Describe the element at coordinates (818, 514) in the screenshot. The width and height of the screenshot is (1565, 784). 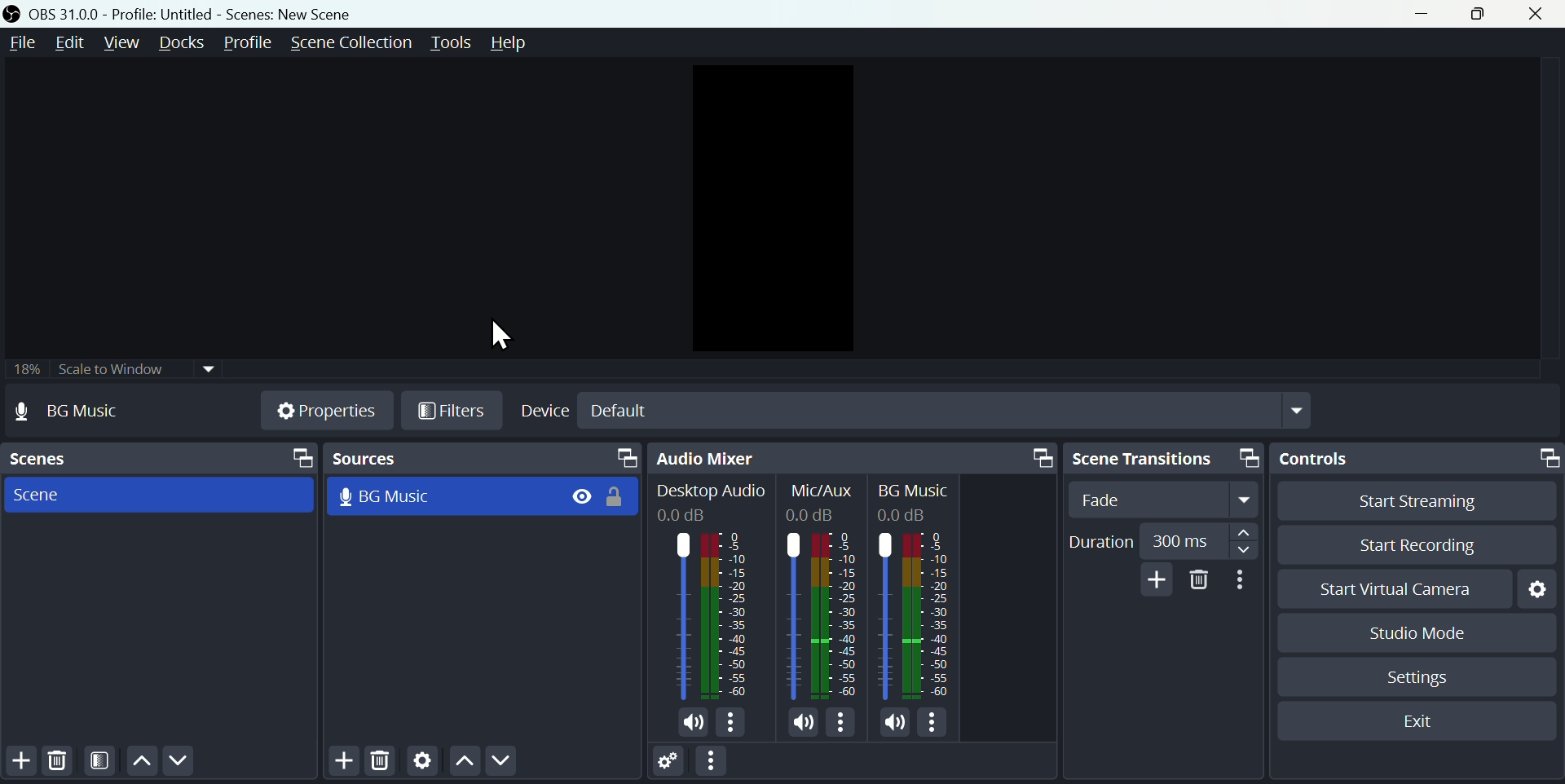
I see `` at that location.